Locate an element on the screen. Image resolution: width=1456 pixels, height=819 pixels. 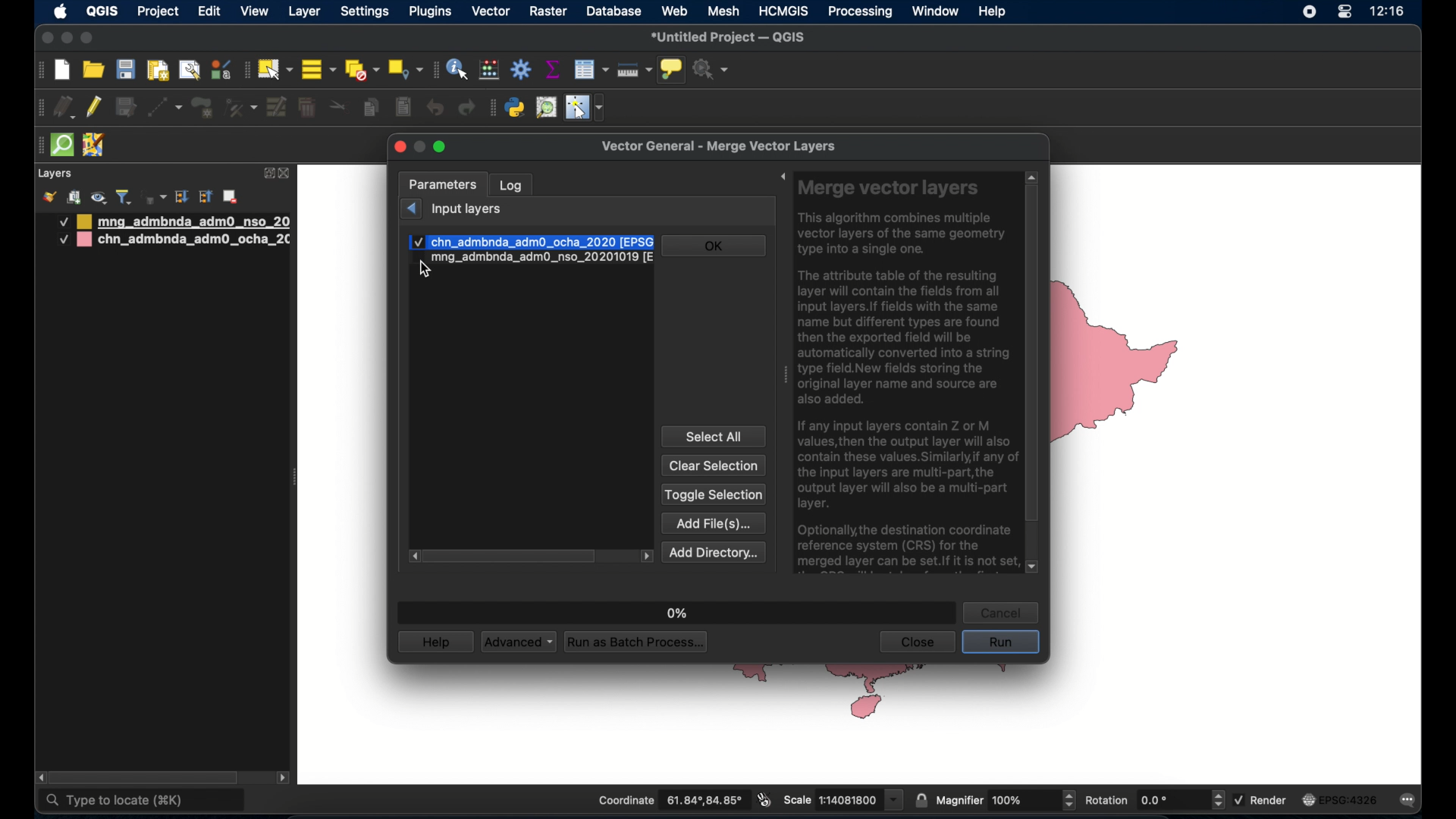
scroll right is located at coordinates (411, 557).